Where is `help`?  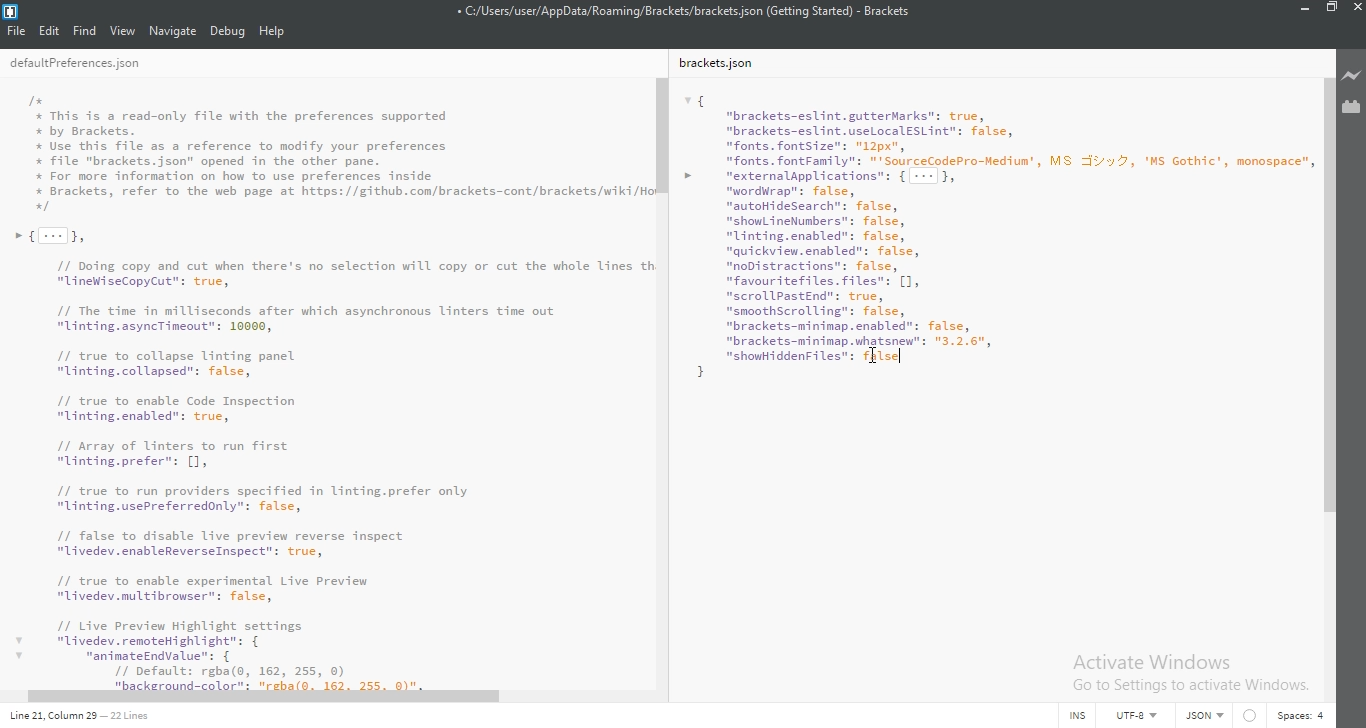
help is located at coordinates (273, 31).